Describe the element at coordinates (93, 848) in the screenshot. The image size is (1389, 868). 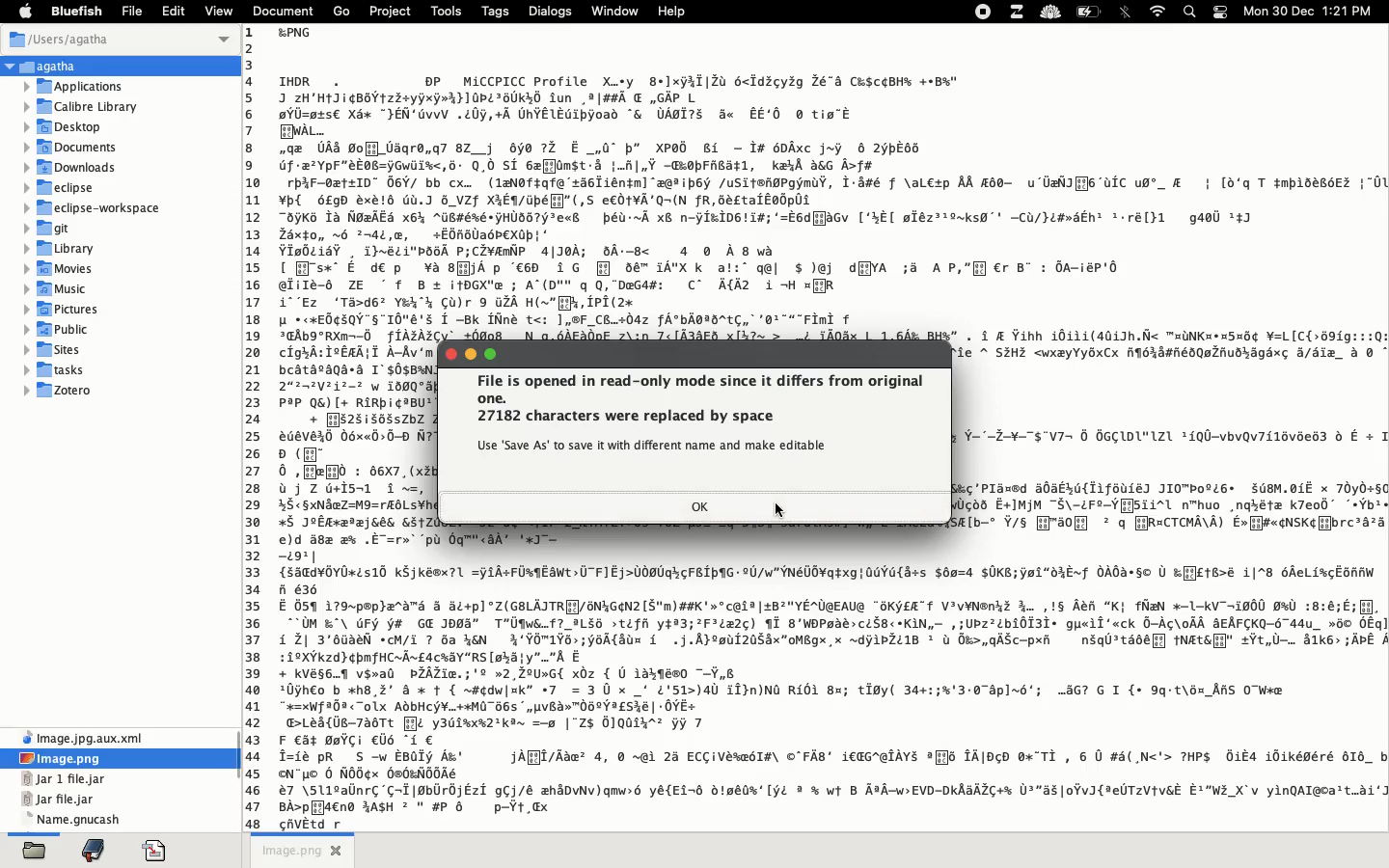
I see `bookmark` at that location.